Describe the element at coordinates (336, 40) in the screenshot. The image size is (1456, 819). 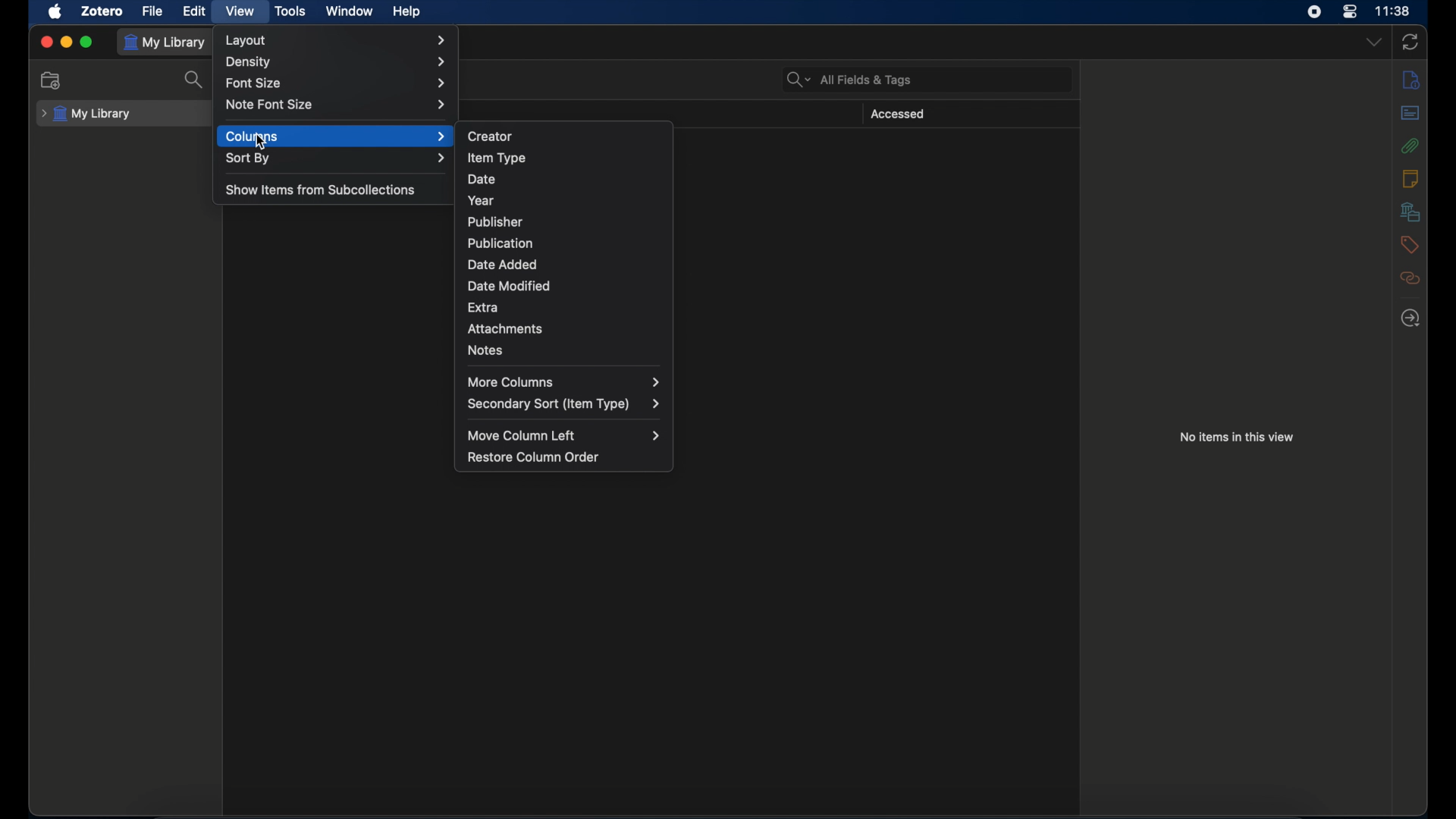
I see `layout` at that location.